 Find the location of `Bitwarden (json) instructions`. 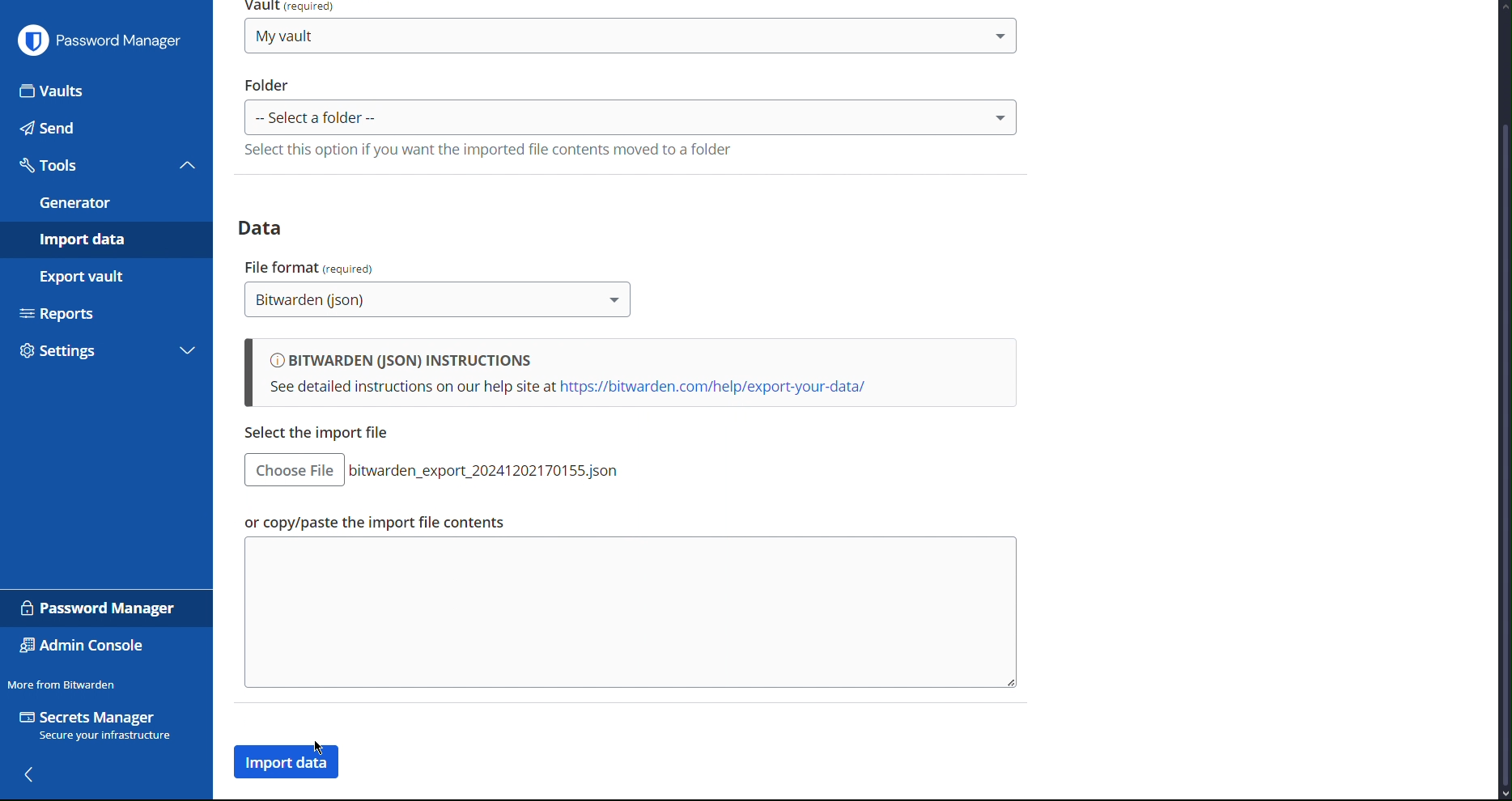

Bitwarden (json) instructions is located at coordinates (630, 374).